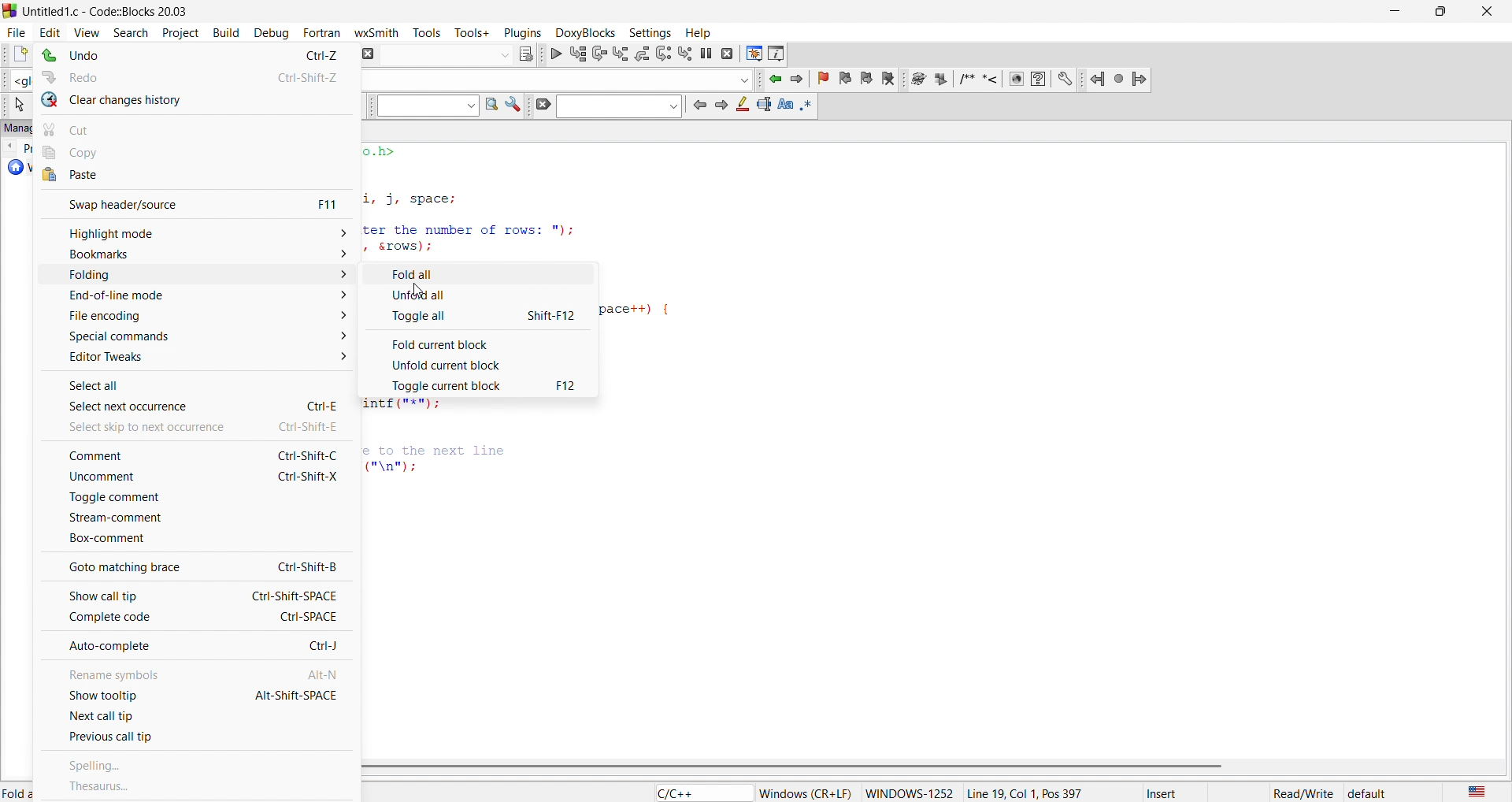 The height and width of the screenshot is (802, 1512). What do you see at coordinates (380, 31) in the screenshot?
I see `wxsmith` at bounding box center [380, 31].